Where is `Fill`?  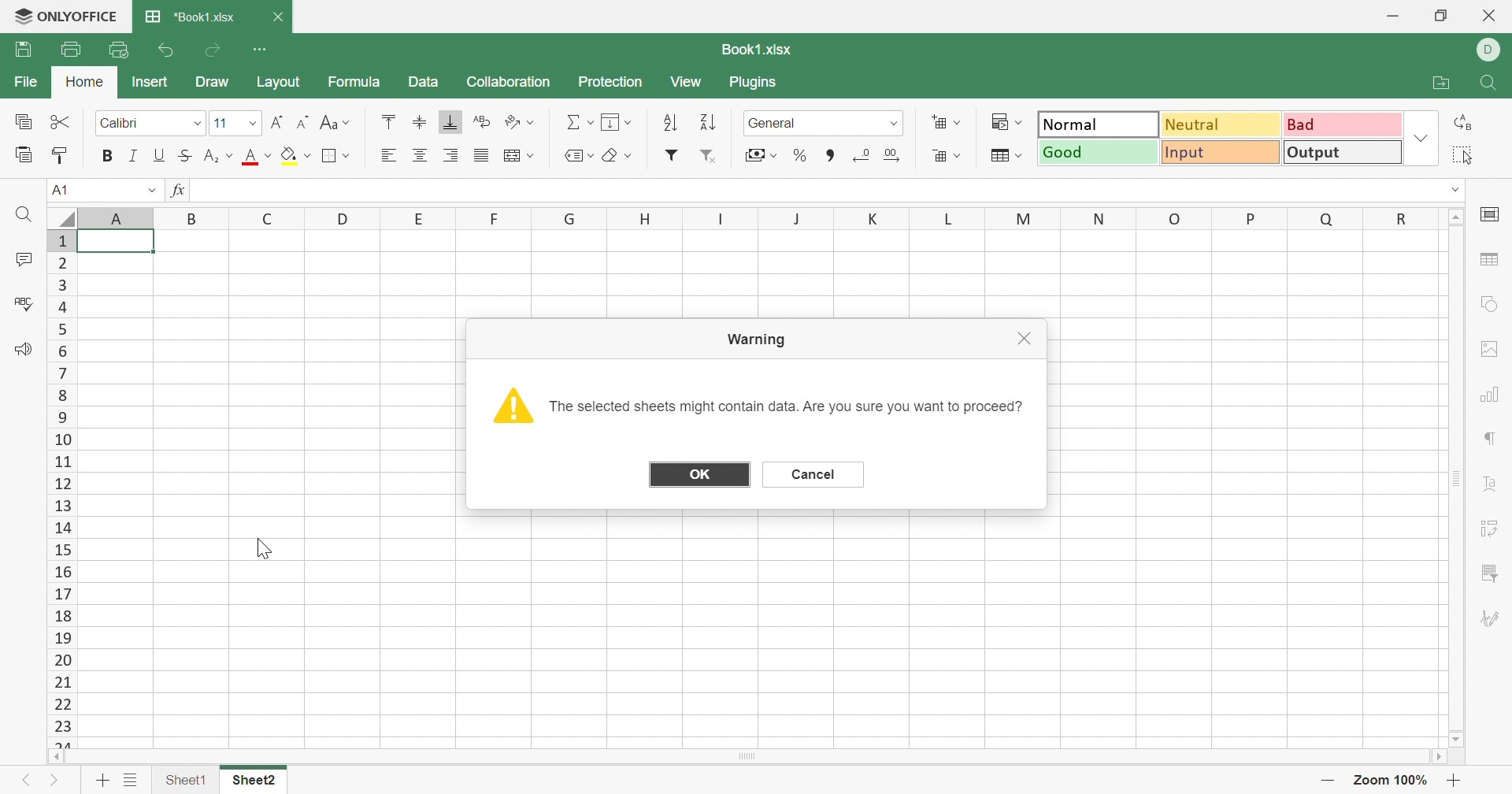
Fill is located at coordinates (613, 122).